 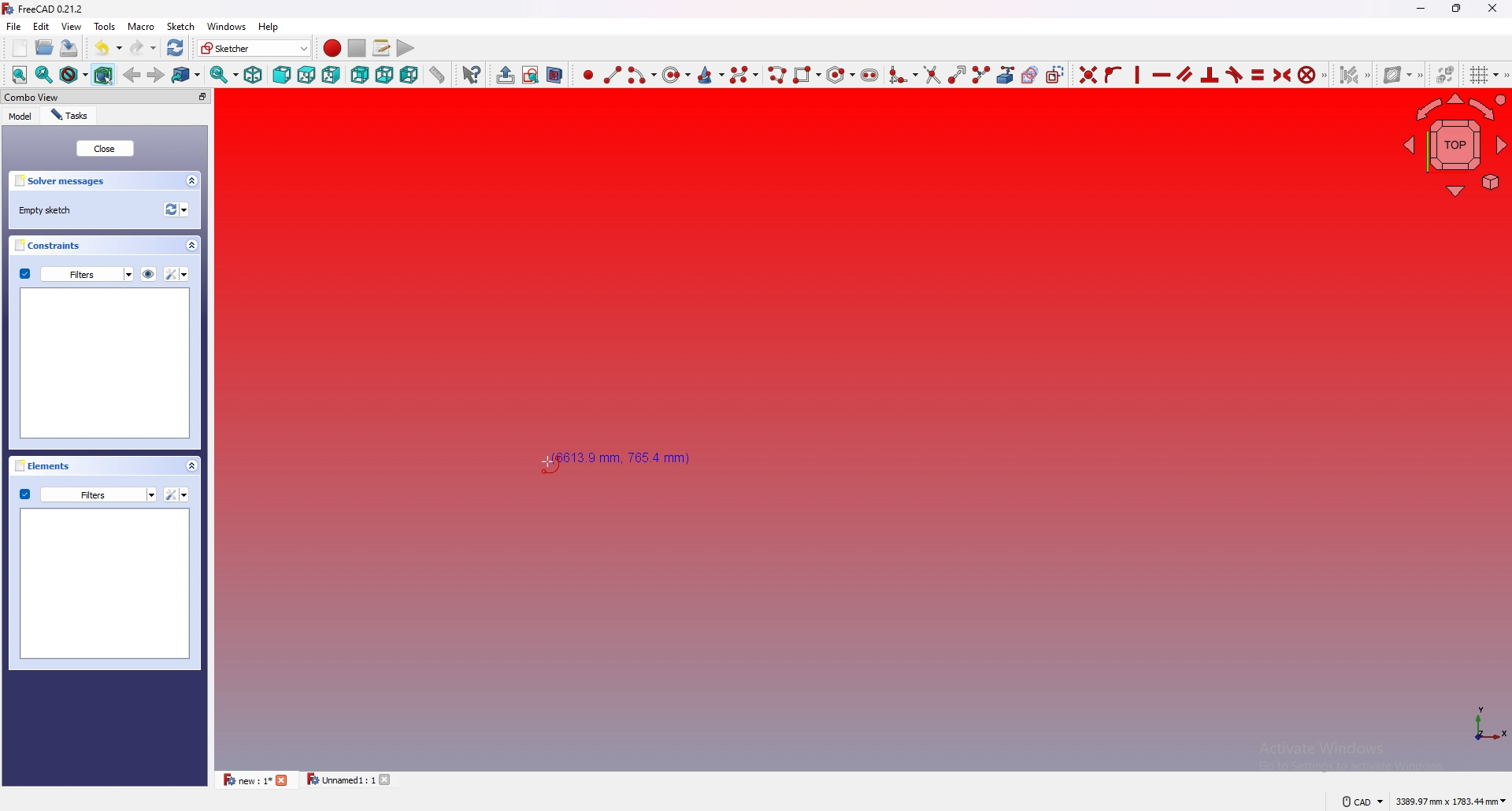 I want to click on constraint vertically, so click(x=1137, y=74).